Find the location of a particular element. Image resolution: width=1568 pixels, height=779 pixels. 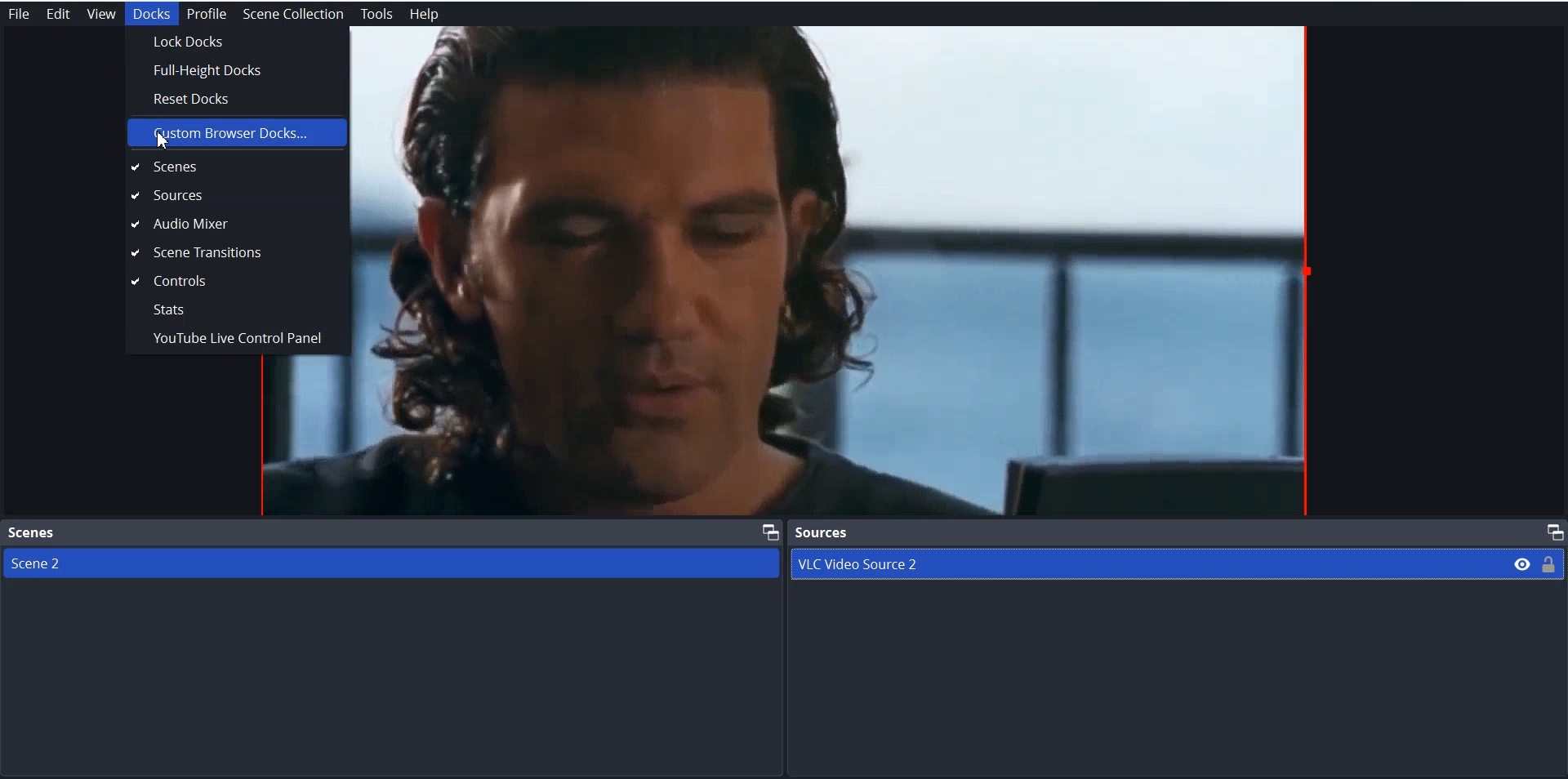

Profile is located at coordinates (207, 14).